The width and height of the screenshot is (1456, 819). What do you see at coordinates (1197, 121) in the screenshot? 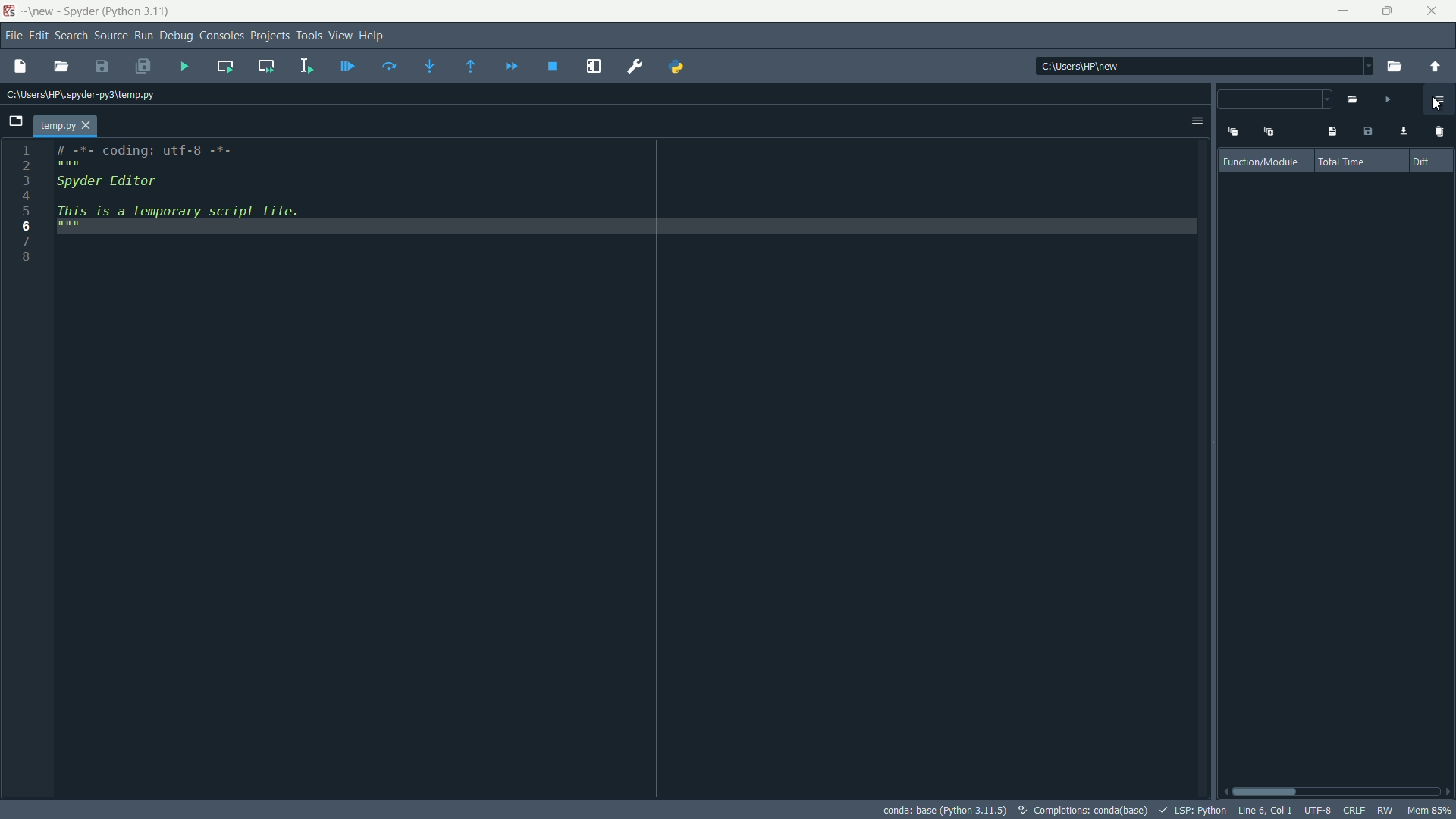
I see `options` at bounding box center [1197, 121].